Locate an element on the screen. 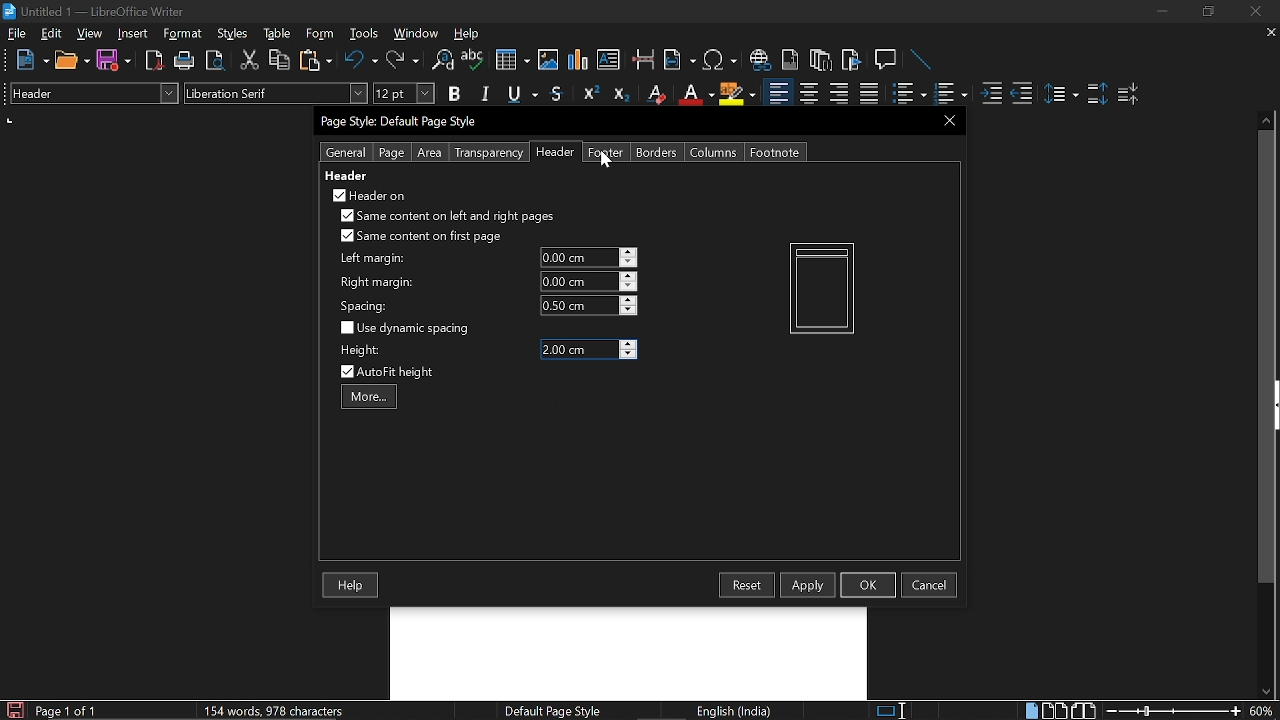 The height and width of the screenshot is (720, 1280). Columns is located at coordinates (714, 152).